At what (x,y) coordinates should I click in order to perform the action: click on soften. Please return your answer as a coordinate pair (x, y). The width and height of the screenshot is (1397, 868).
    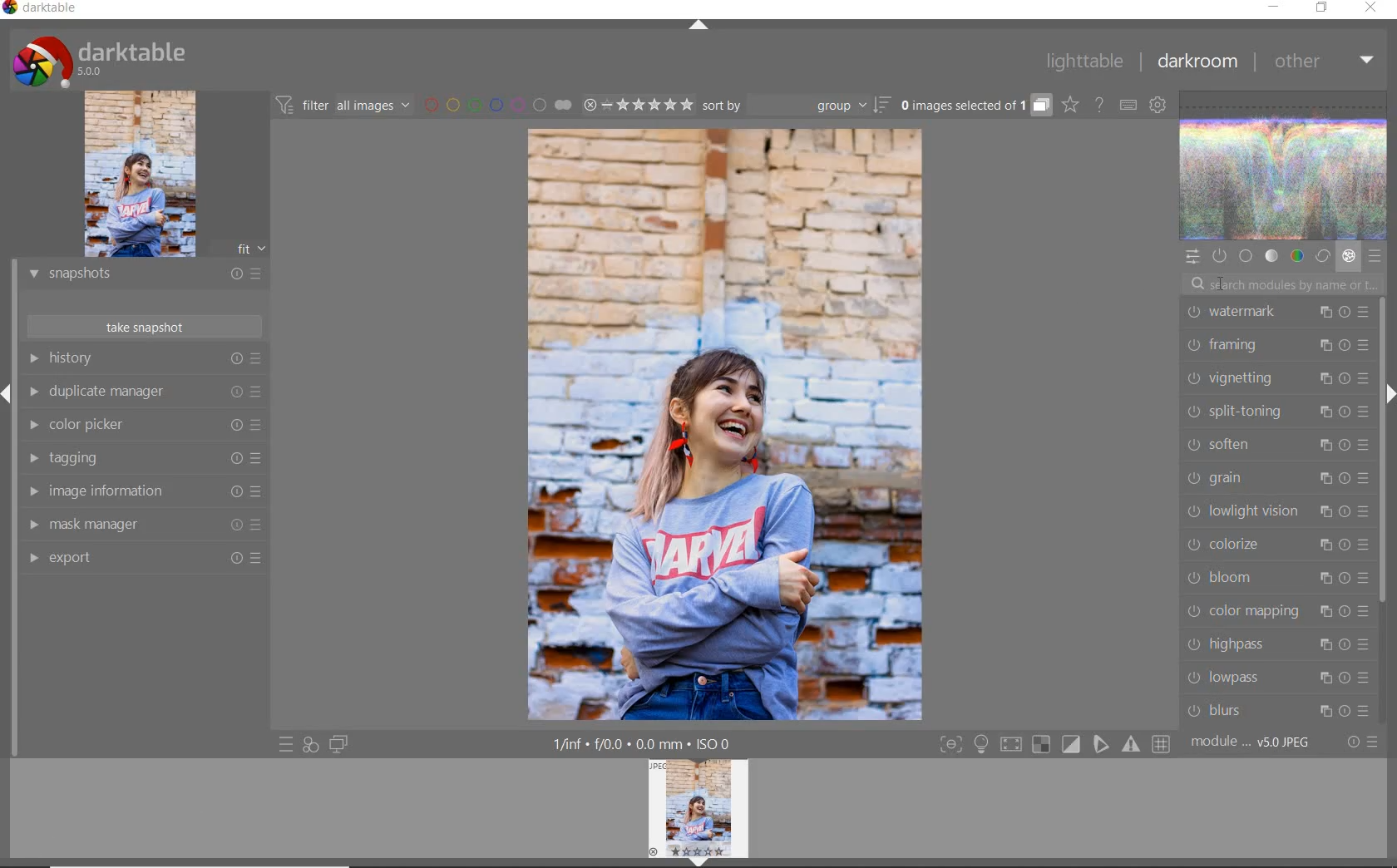
    Looking at the image, I should click on (1278, 445).